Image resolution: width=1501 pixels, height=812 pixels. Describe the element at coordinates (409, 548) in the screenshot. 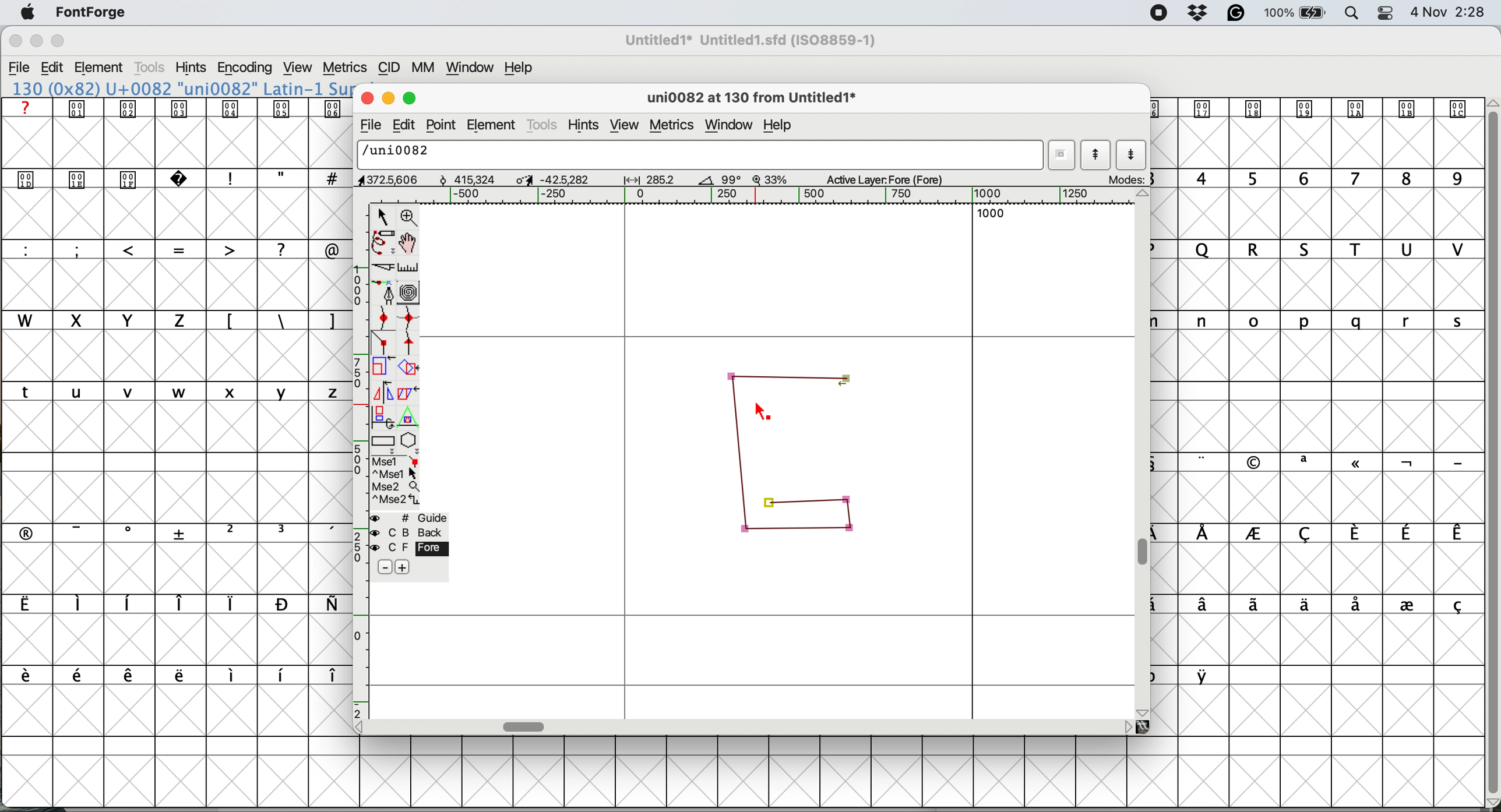

I see `fore` at that location.